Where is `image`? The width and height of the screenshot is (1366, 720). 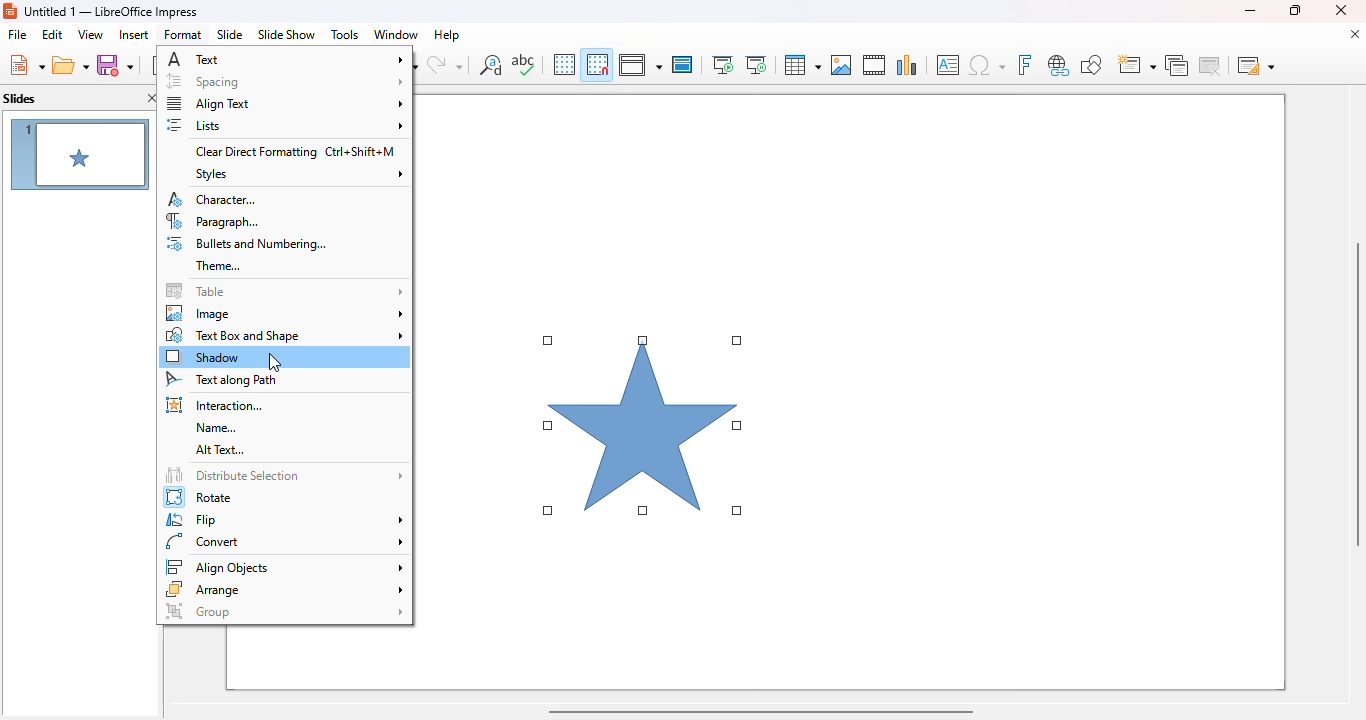
image is located at coordinates (285, 313).